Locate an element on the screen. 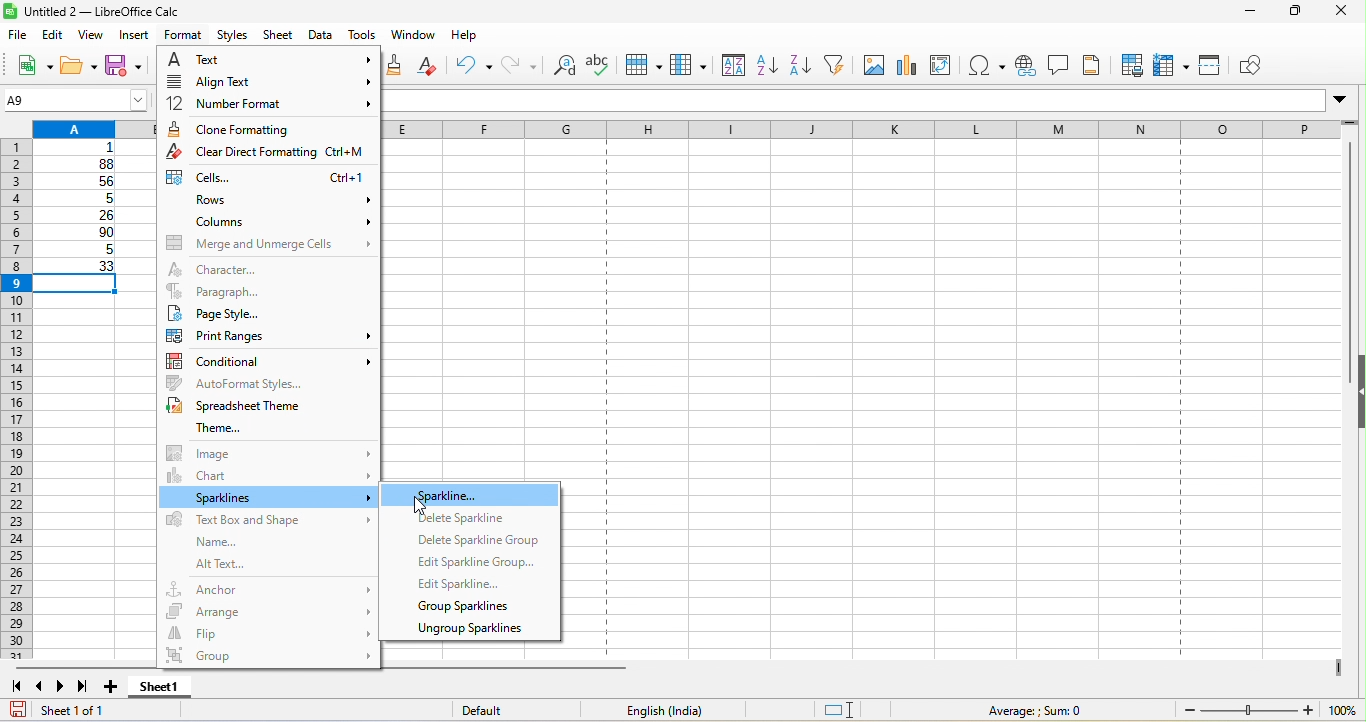 The image size is (1366, 722). name is located at coordinates (210, 542).